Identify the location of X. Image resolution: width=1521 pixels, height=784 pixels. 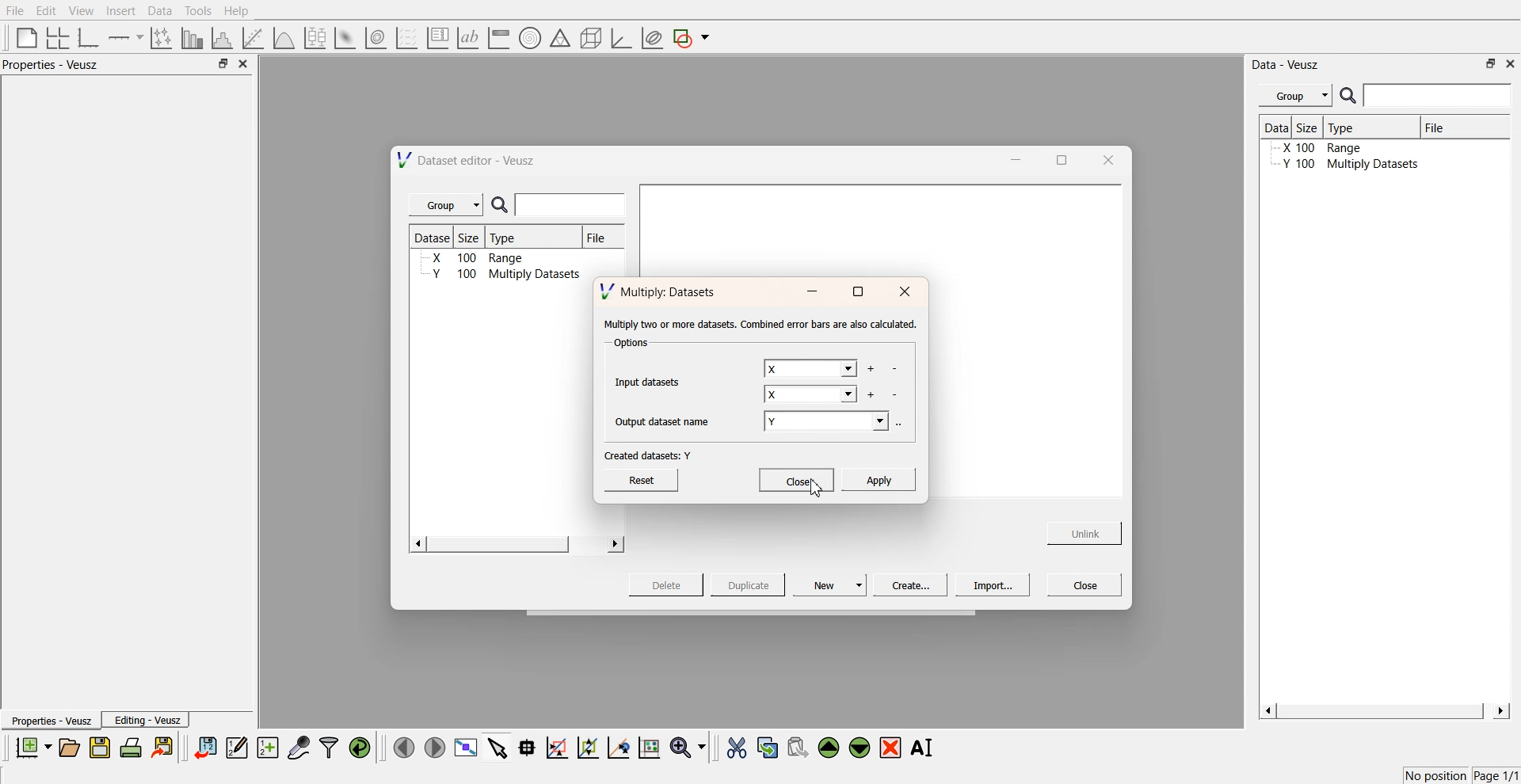
(809, 369).